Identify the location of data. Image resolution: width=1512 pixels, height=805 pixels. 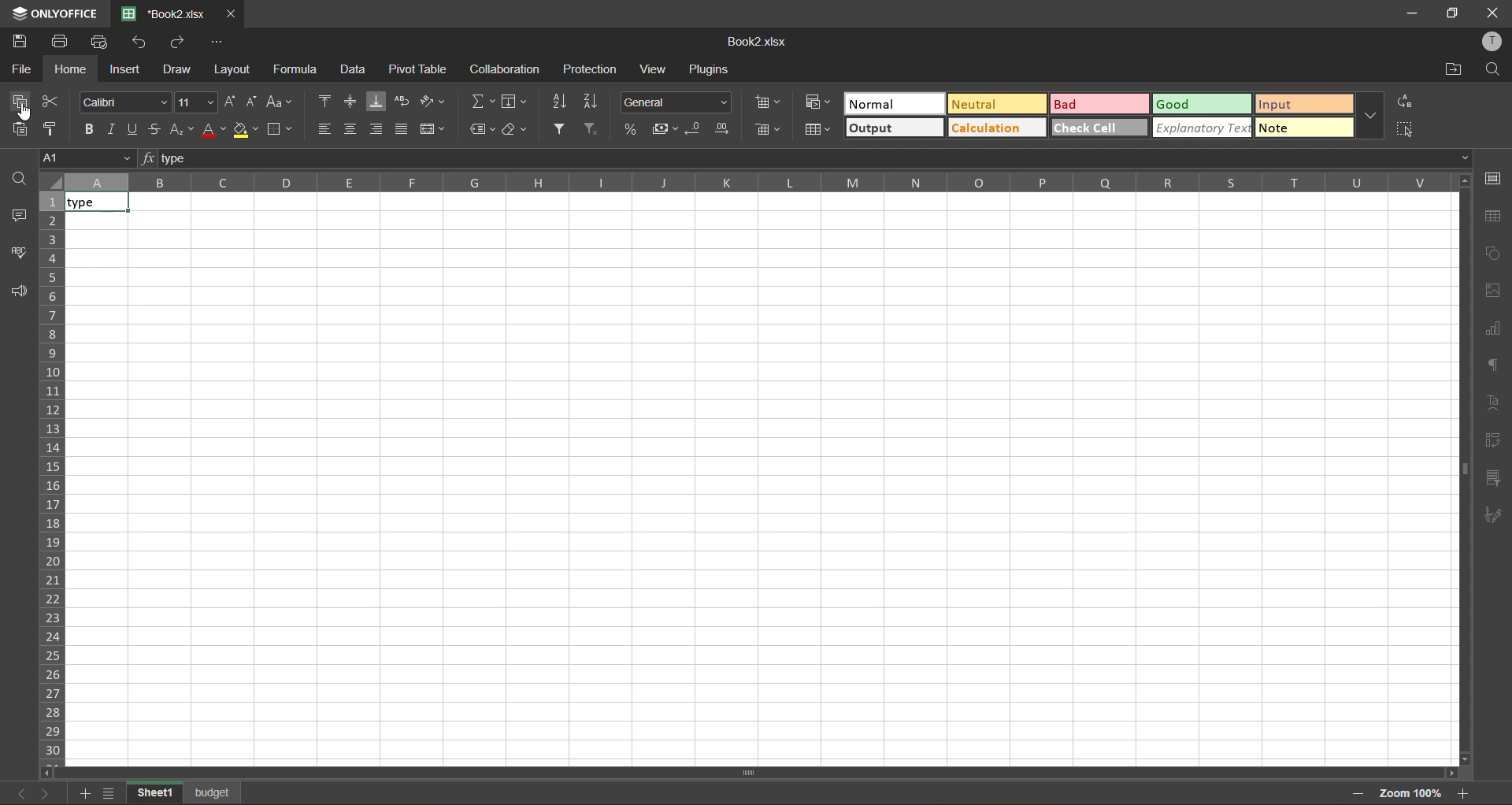
(354, 69).